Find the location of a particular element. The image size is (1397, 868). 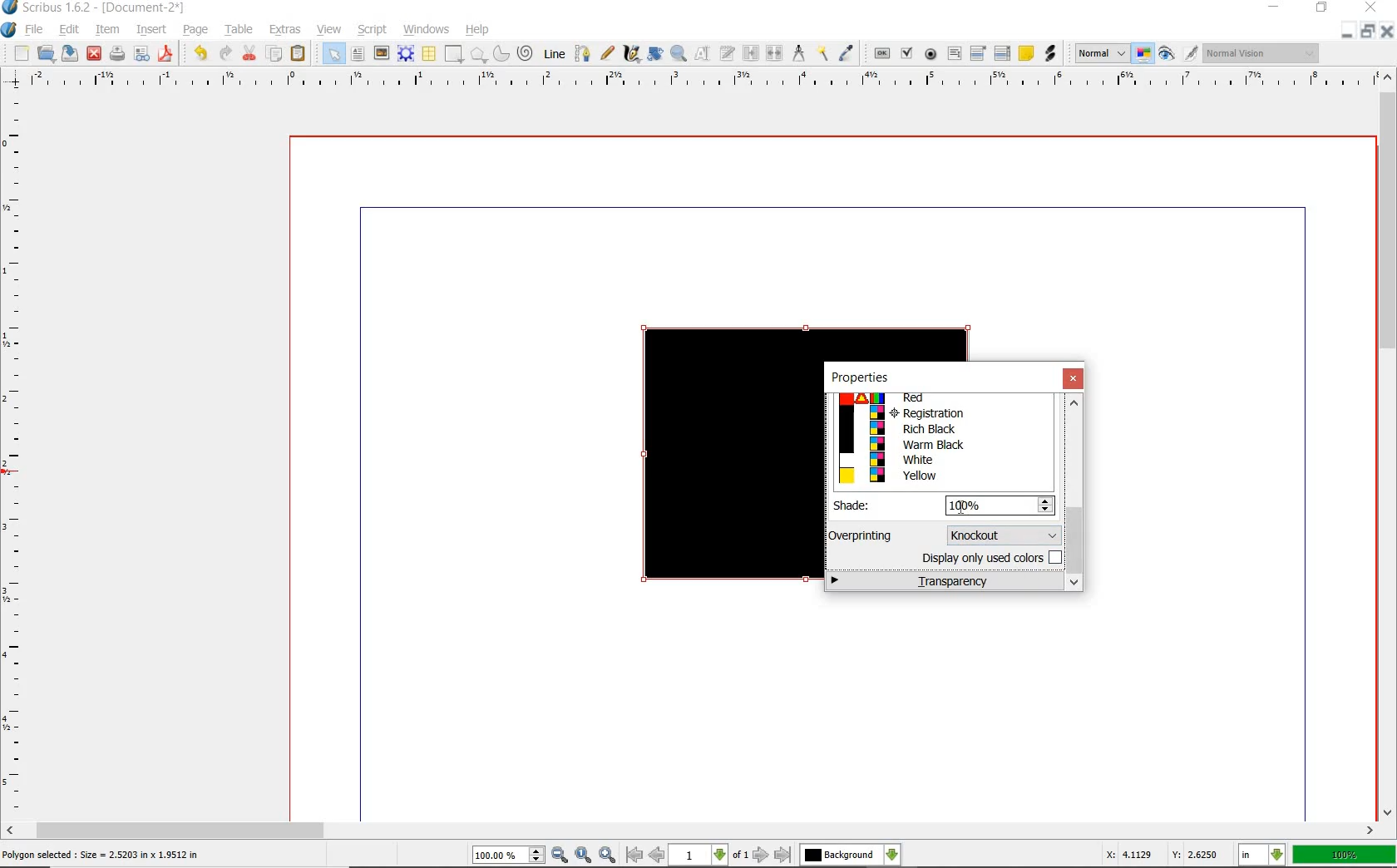

scrollbar is located at coordinates (1075, 494).